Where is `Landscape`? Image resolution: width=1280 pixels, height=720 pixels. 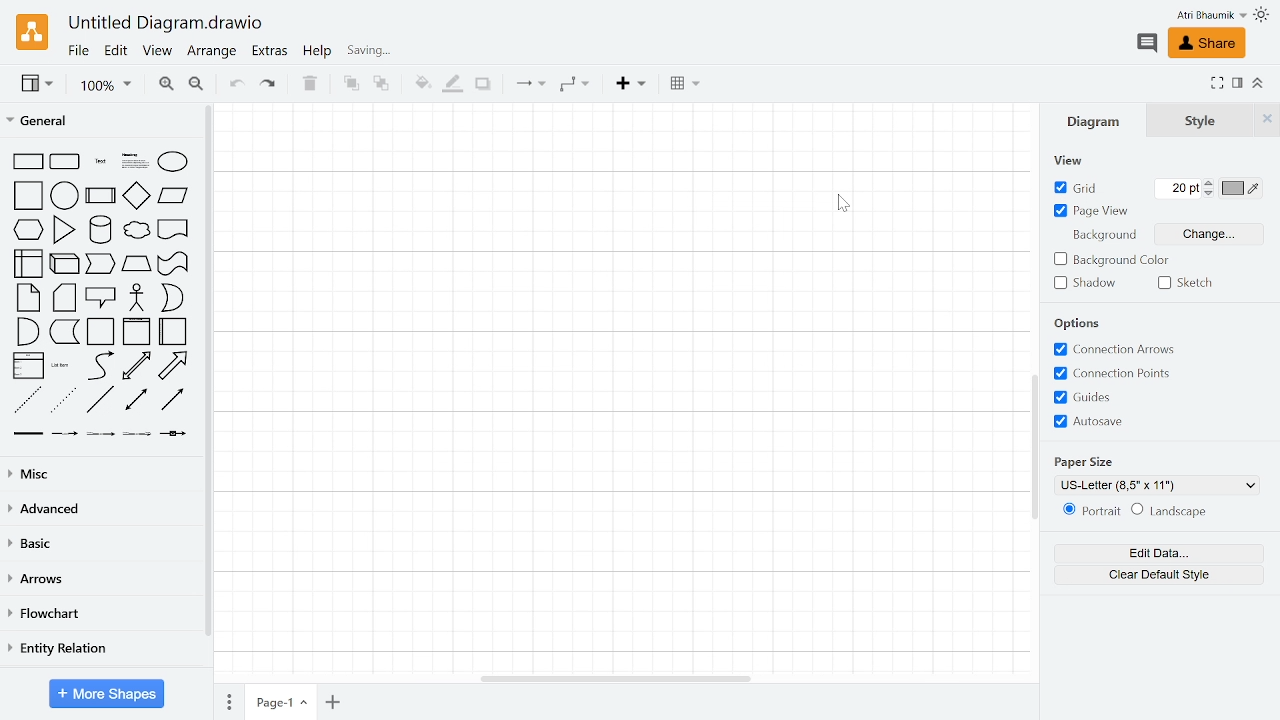
Landscape is located at coordinates (1171, 511).